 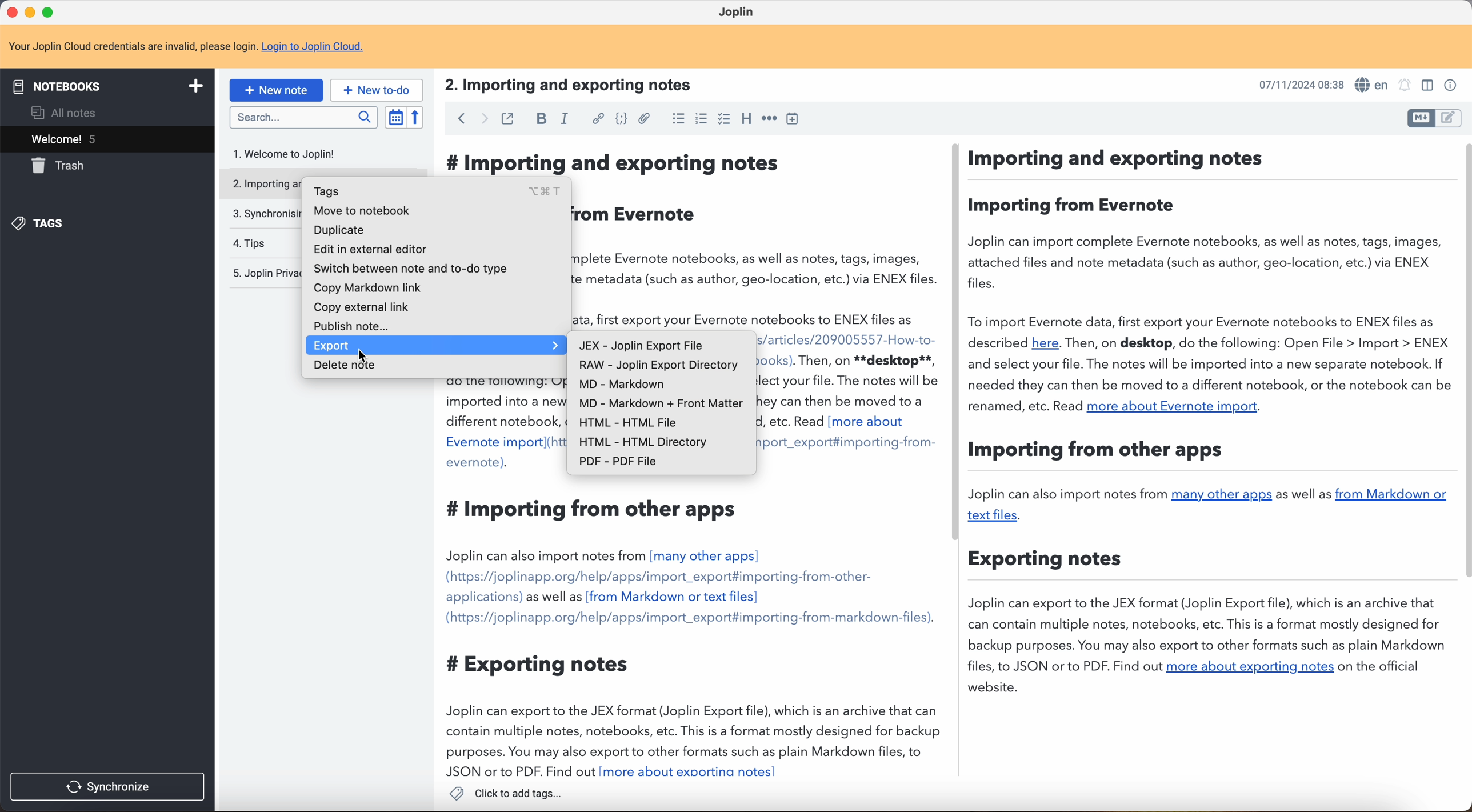 I want to click on note properties, so click(x=1451, y=84).